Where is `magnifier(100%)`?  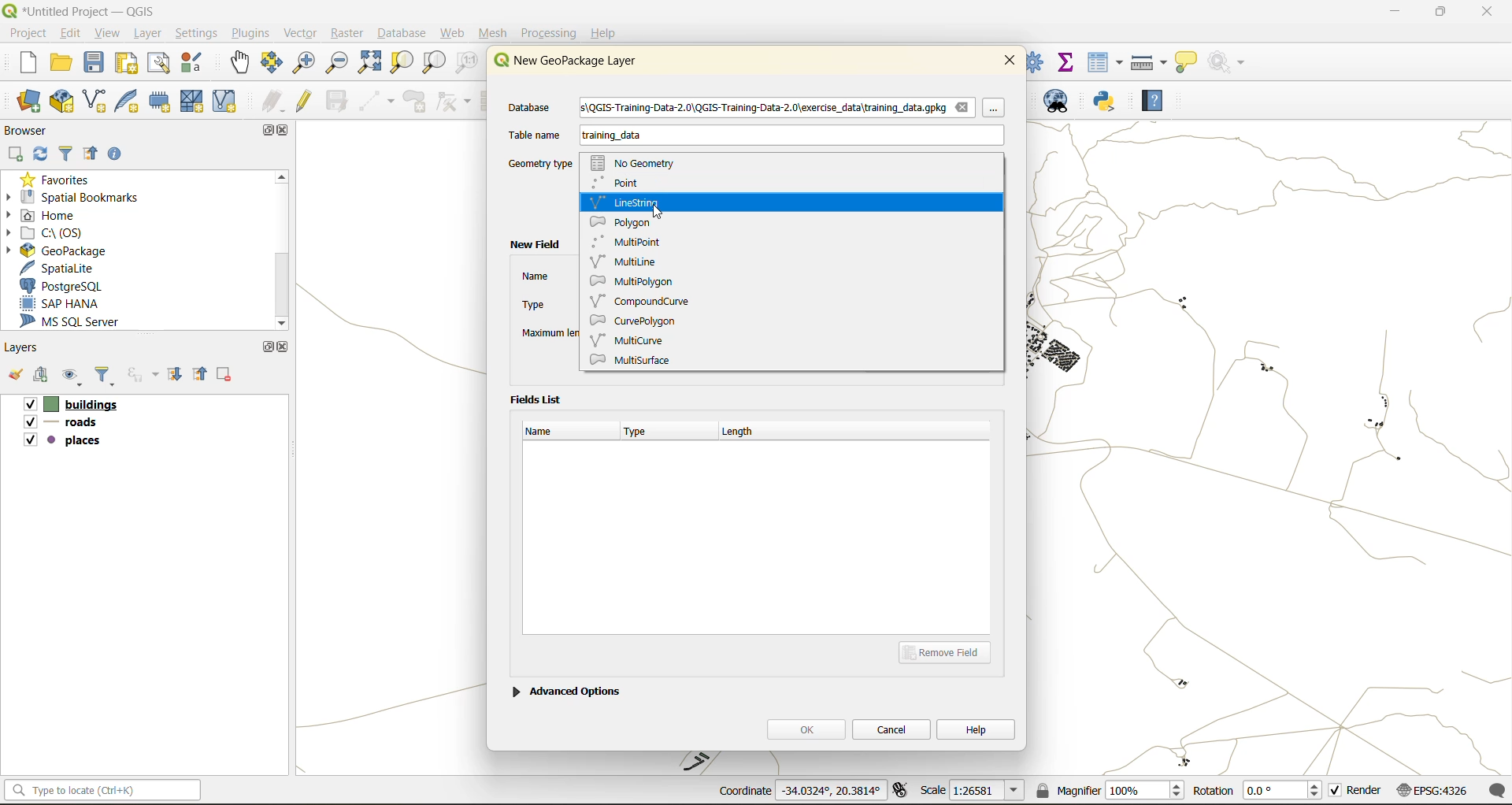 magnifier(100%) is located at coordinates (1106, 790).